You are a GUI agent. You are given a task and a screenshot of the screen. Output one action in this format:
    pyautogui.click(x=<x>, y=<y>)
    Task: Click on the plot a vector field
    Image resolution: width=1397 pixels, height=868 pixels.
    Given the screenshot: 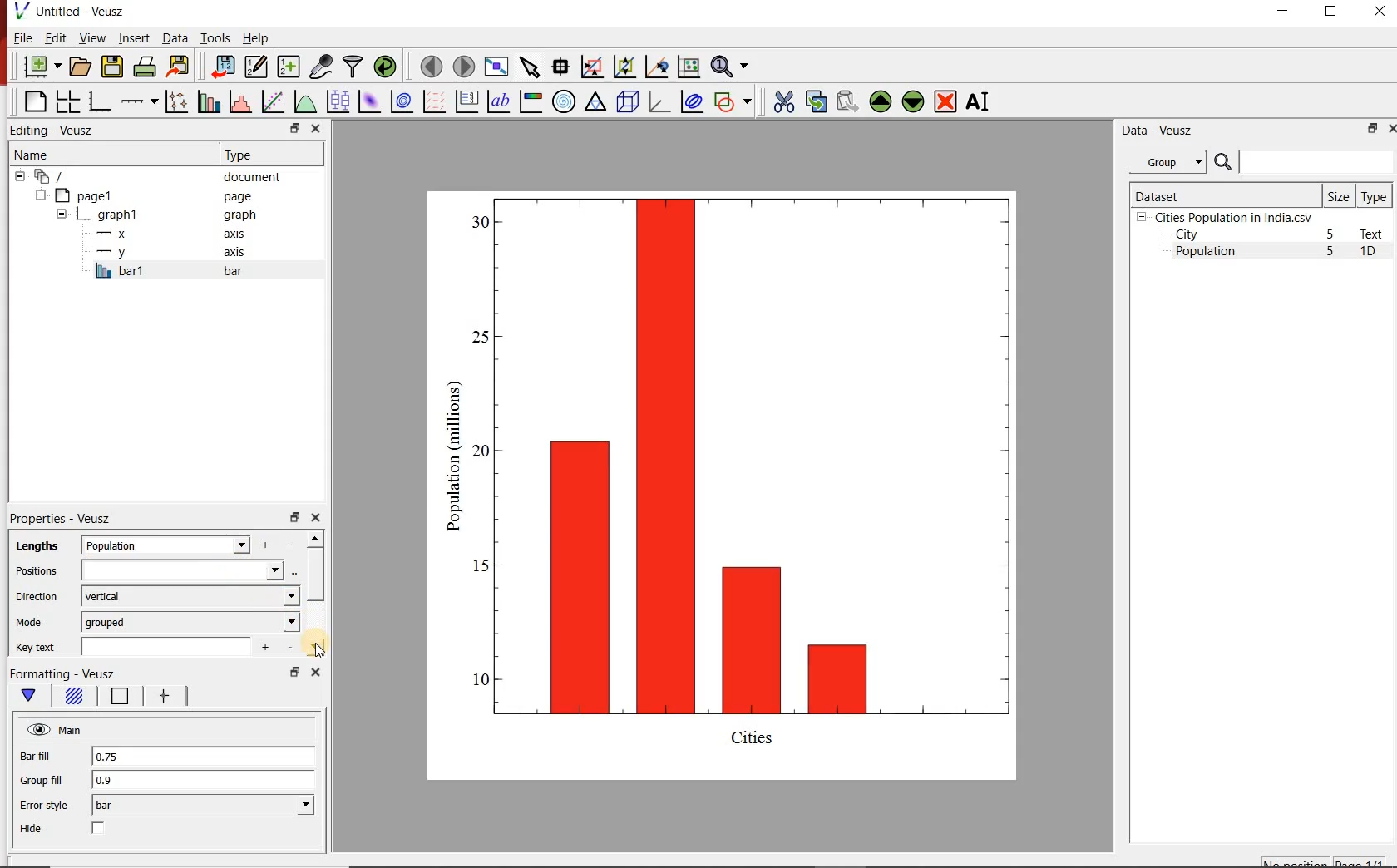 What is the action you would take?
    pyautogui.click(x=432, y=101)
    